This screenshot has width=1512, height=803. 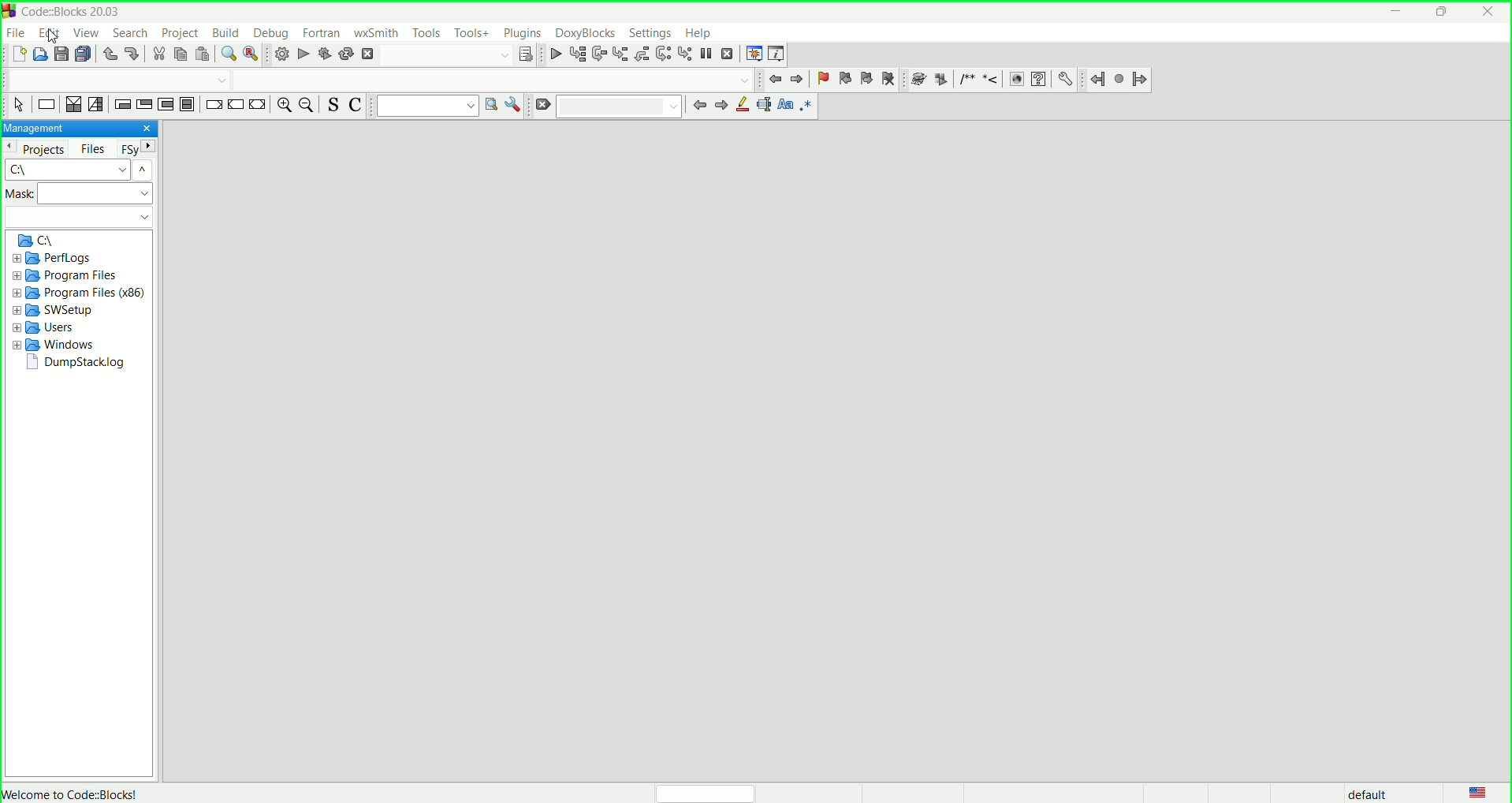 I want to click on cut, so click(x=158, y=55).